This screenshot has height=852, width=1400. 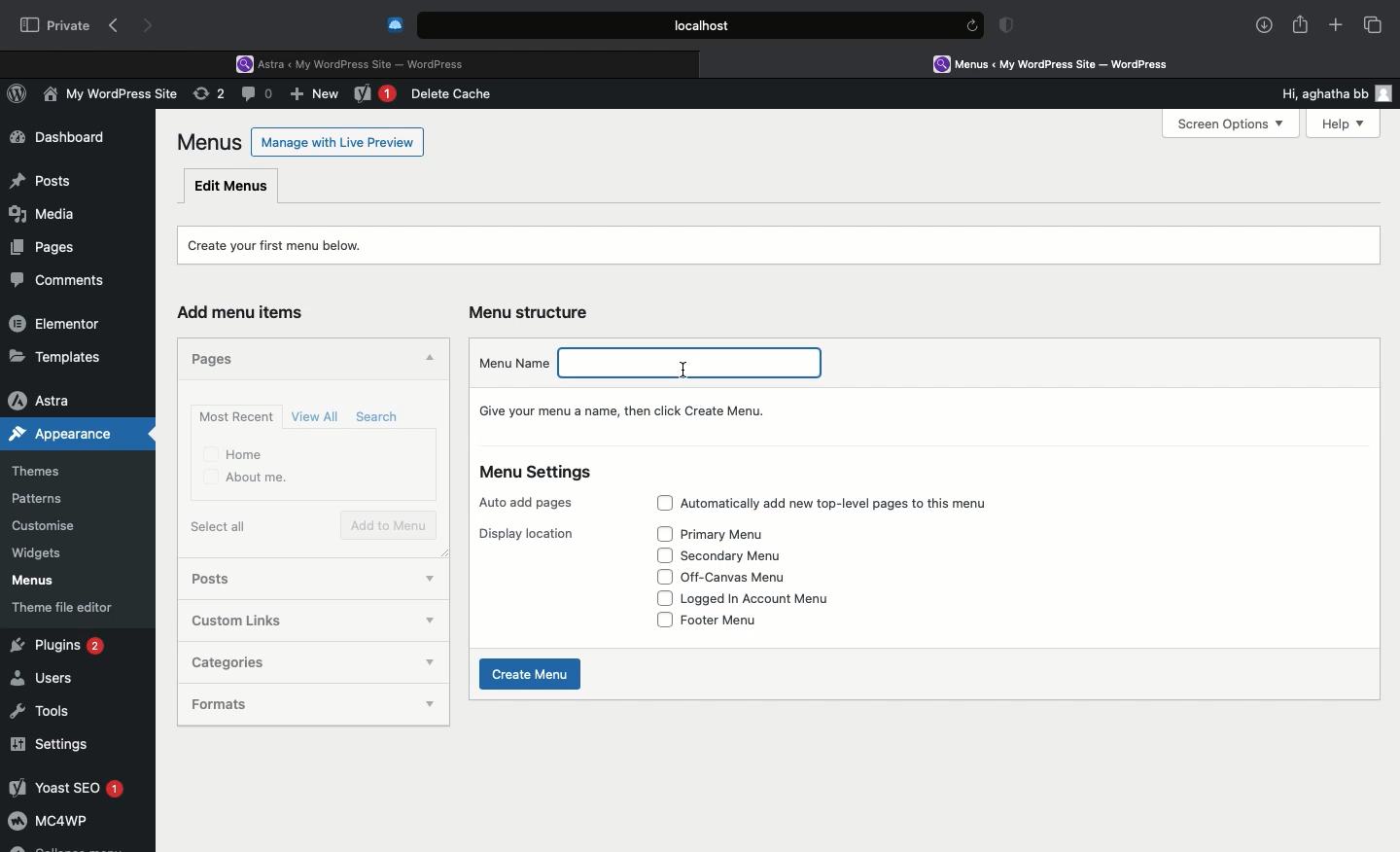 I want to click on Manage with Live Preview, so click(x=338, y=141).